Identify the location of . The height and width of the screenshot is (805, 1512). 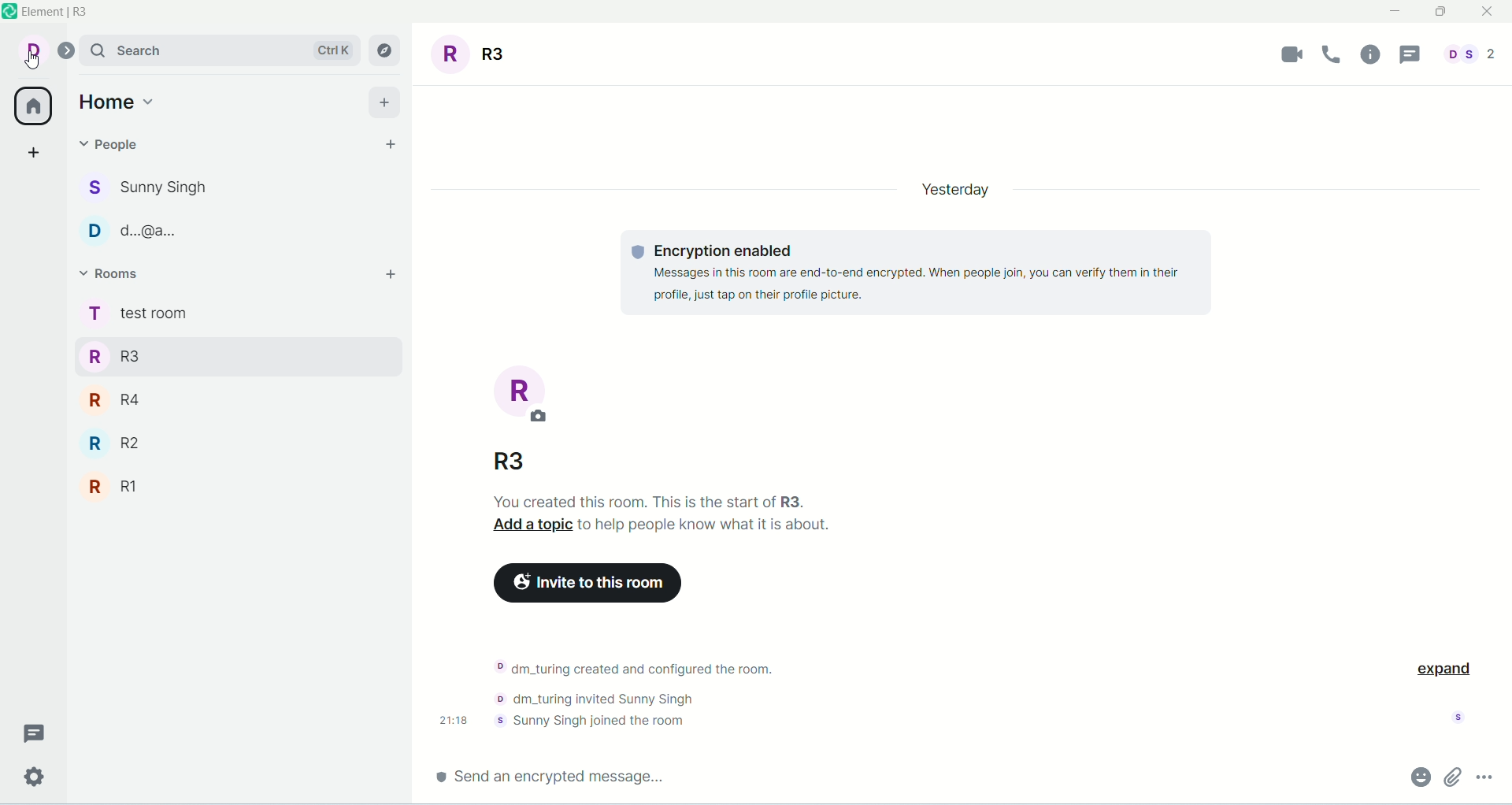
(512, 464).